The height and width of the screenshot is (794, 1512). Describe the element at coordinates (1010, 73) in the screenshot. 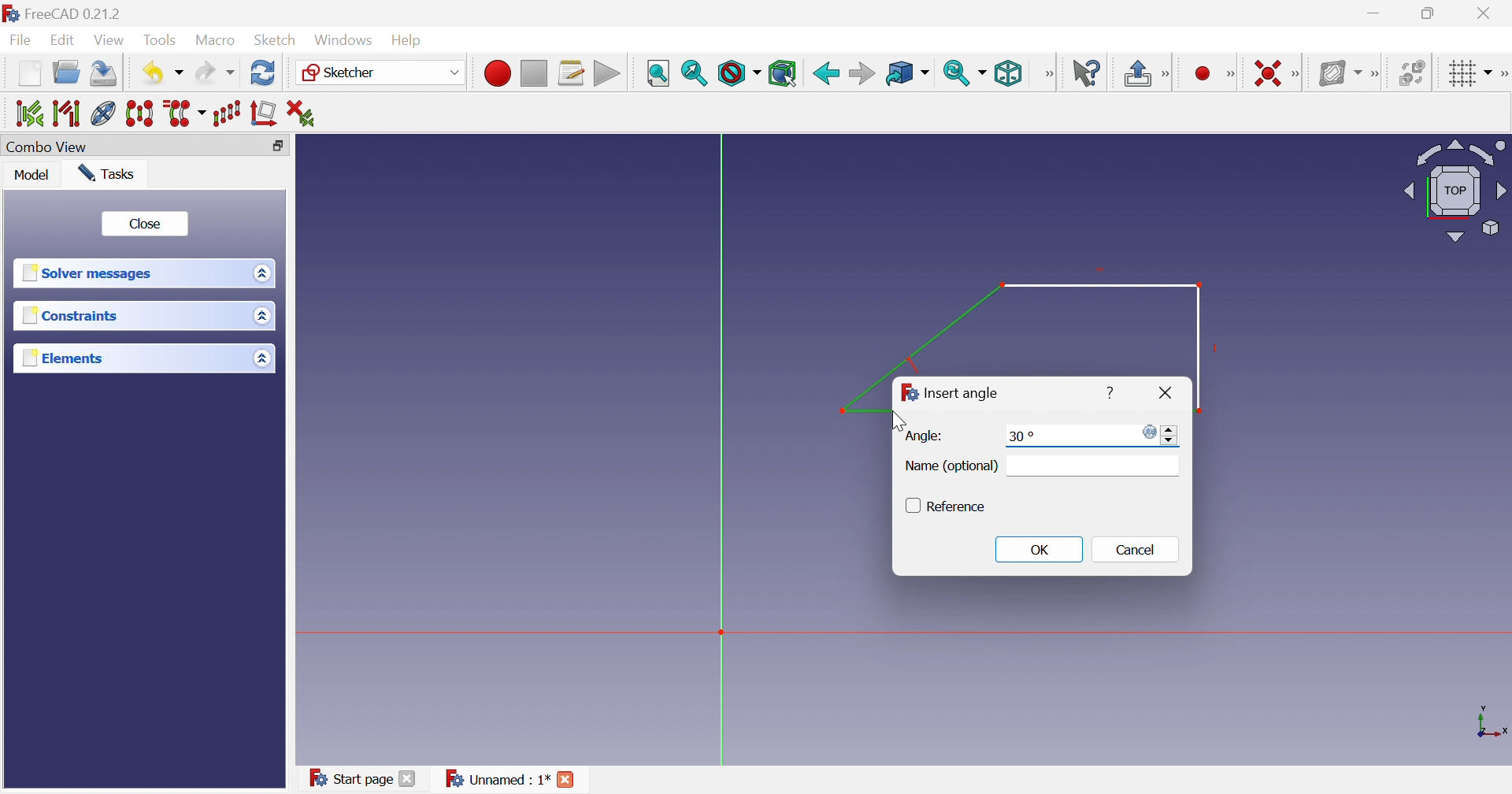

I see `Isometric` at that location.